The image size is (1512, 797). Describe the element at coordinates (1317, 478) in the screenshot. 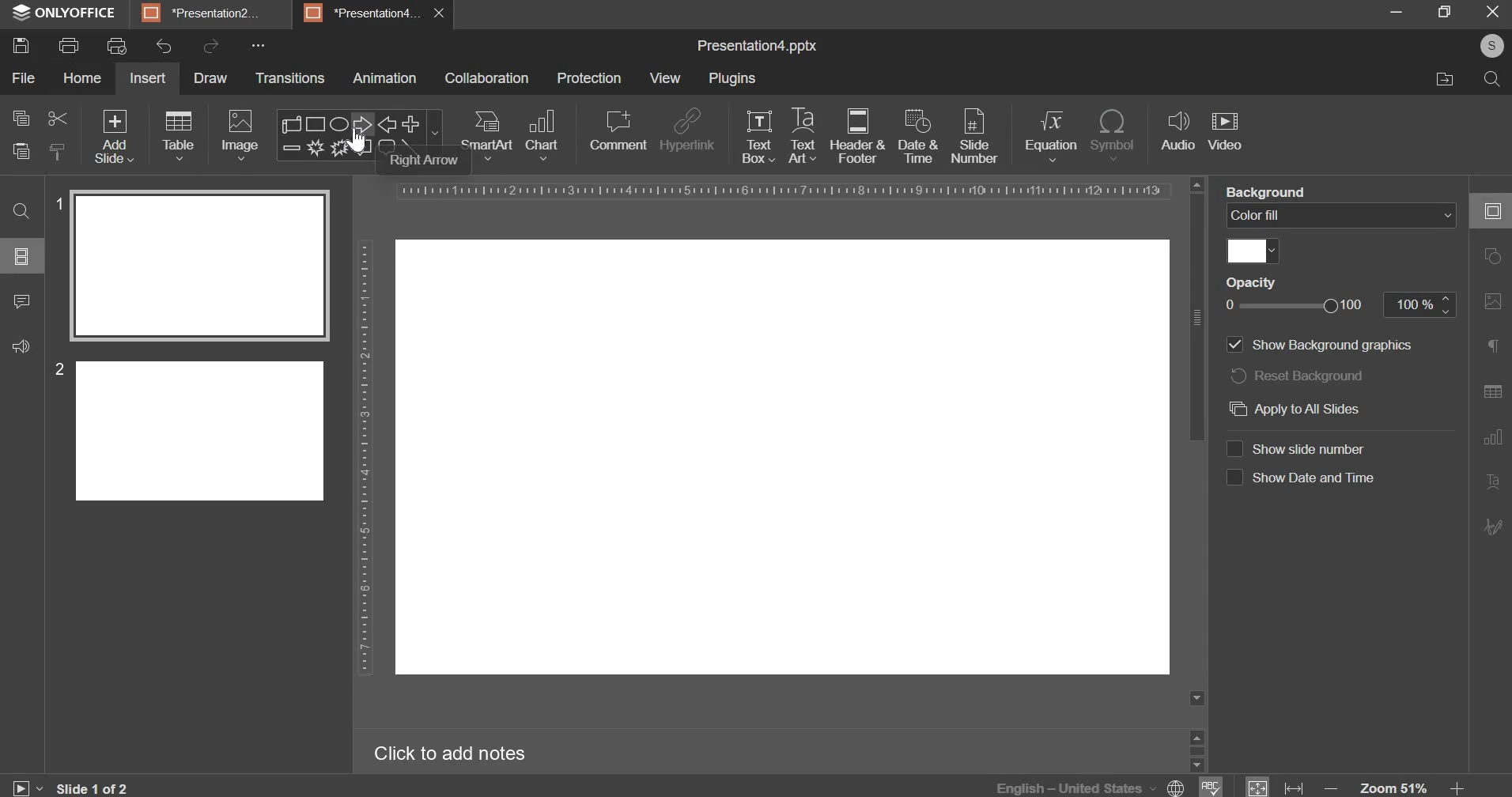

I see `` at that location.